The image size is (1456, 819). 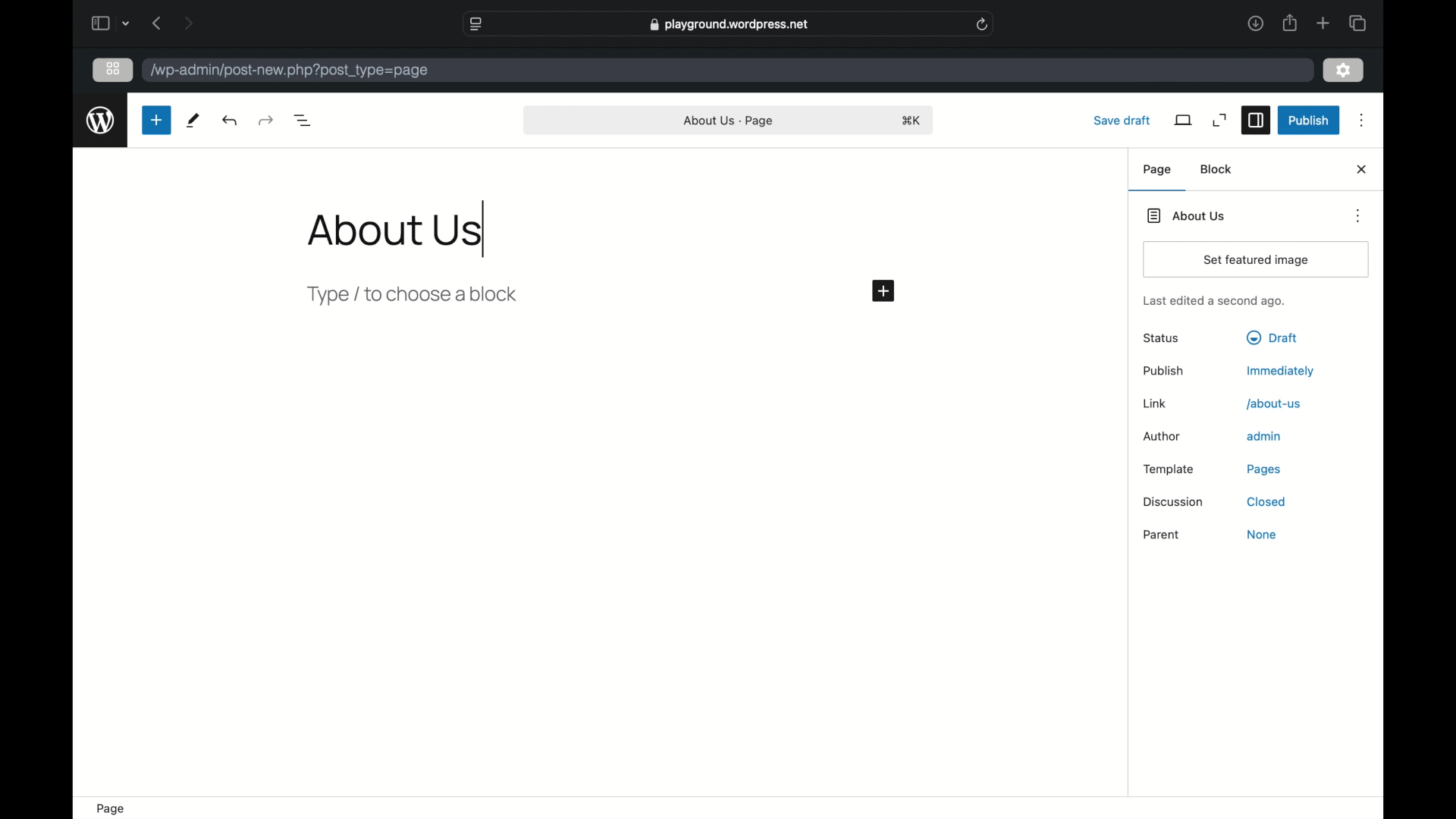 I want to click on save draft, so click(x=1122, y=120).